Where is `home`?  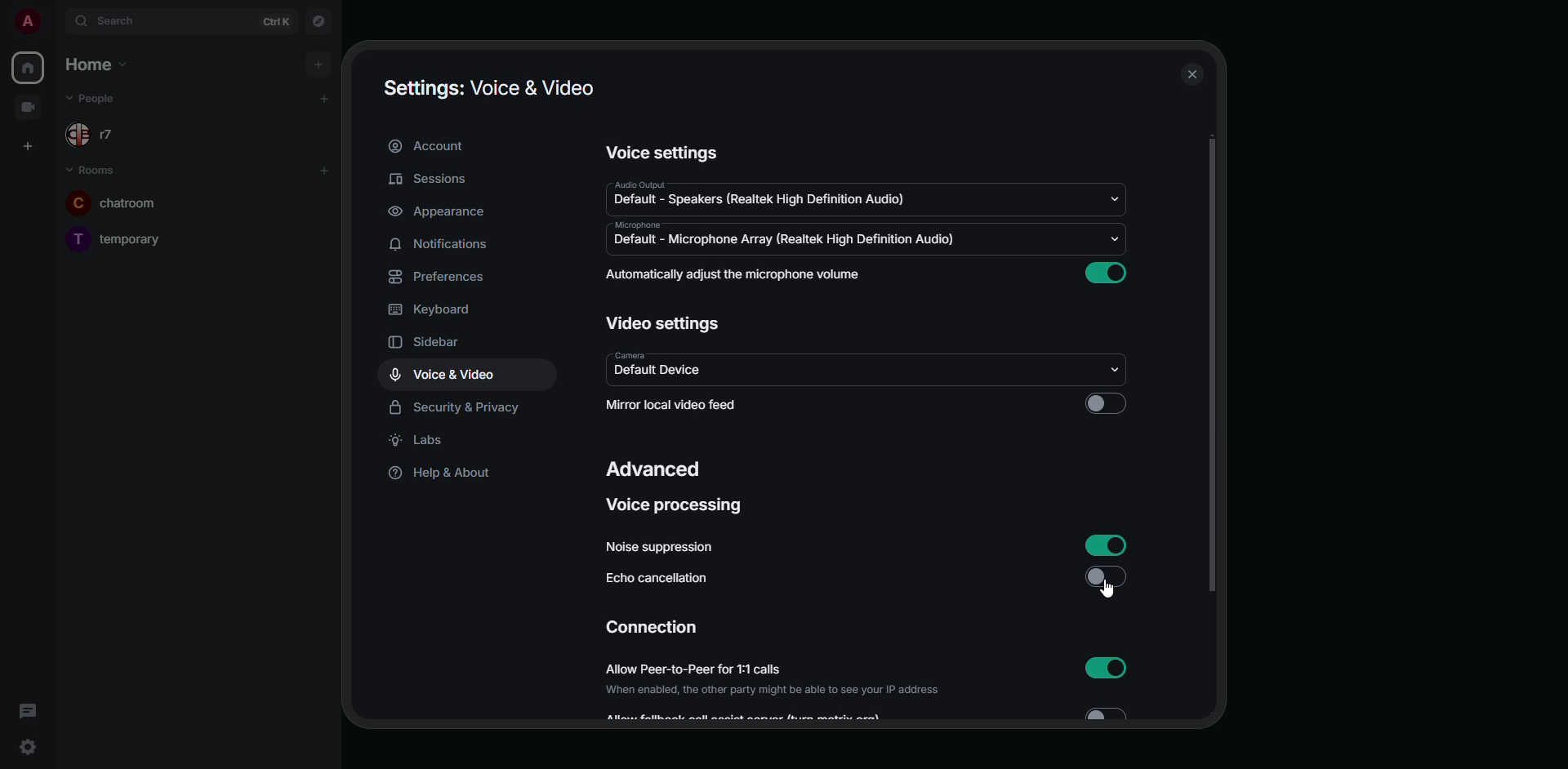 home is located at coordinates (93, 63).